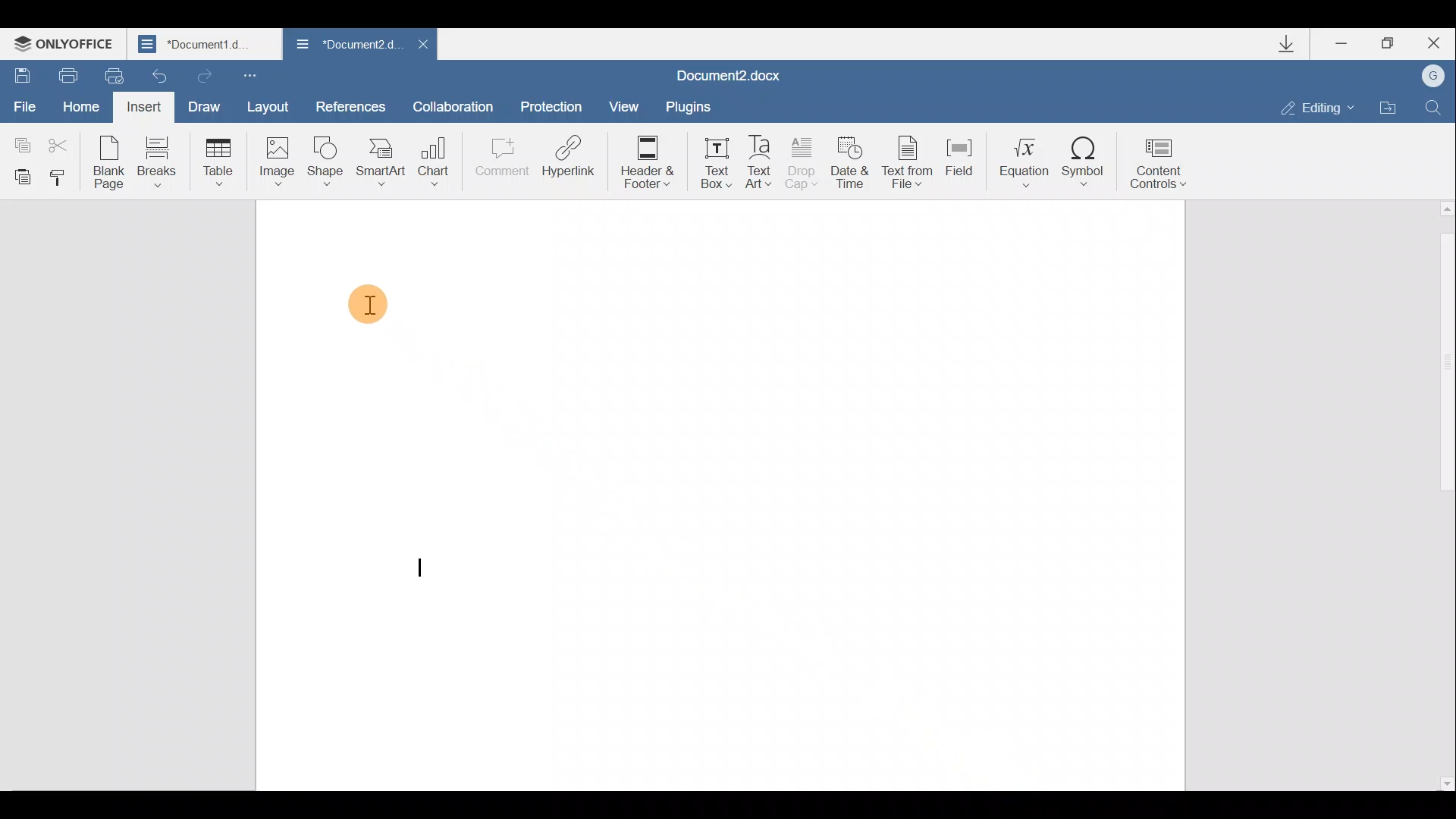  What do you see at coordinates (716, 162) in the screenshot?
I see `Text box` at bounding box center [716, 162].